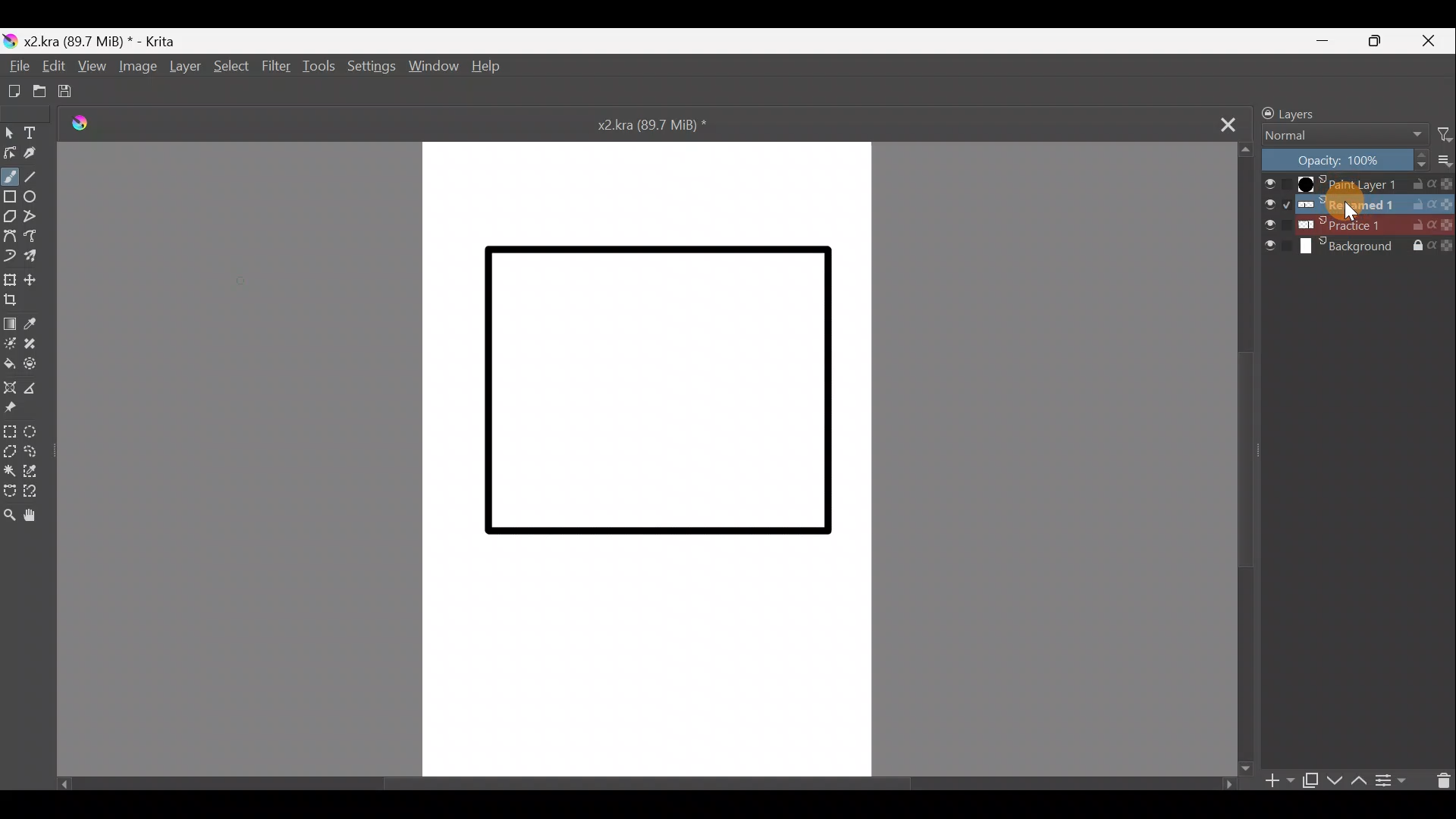  Describe the element at coordinates (1442, 162) in the screenshot. I see `More` at that location.